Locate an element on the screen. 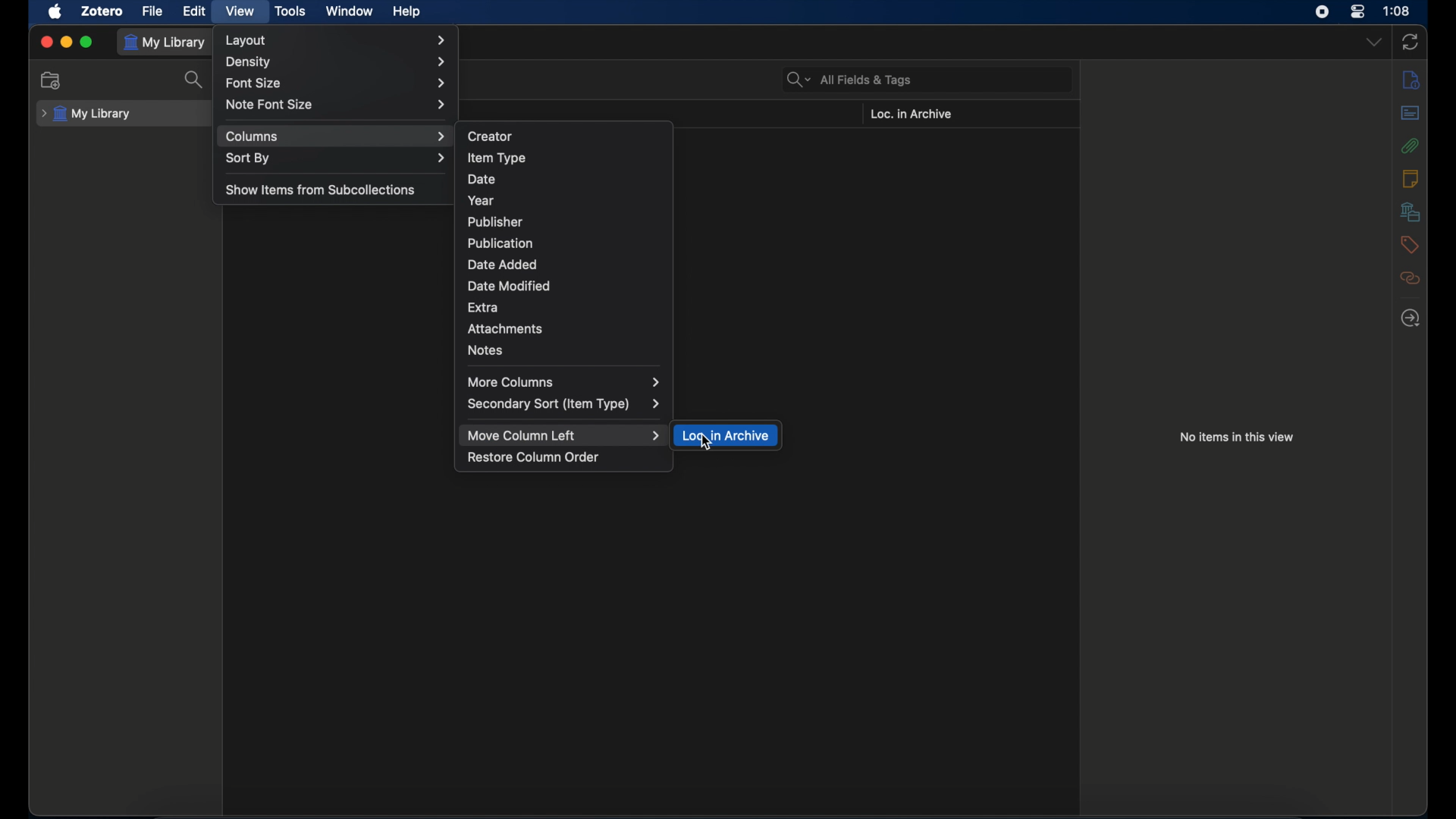 The height and width of the screenshot is (819, 1456). apple is located at coordinates (56, 12).